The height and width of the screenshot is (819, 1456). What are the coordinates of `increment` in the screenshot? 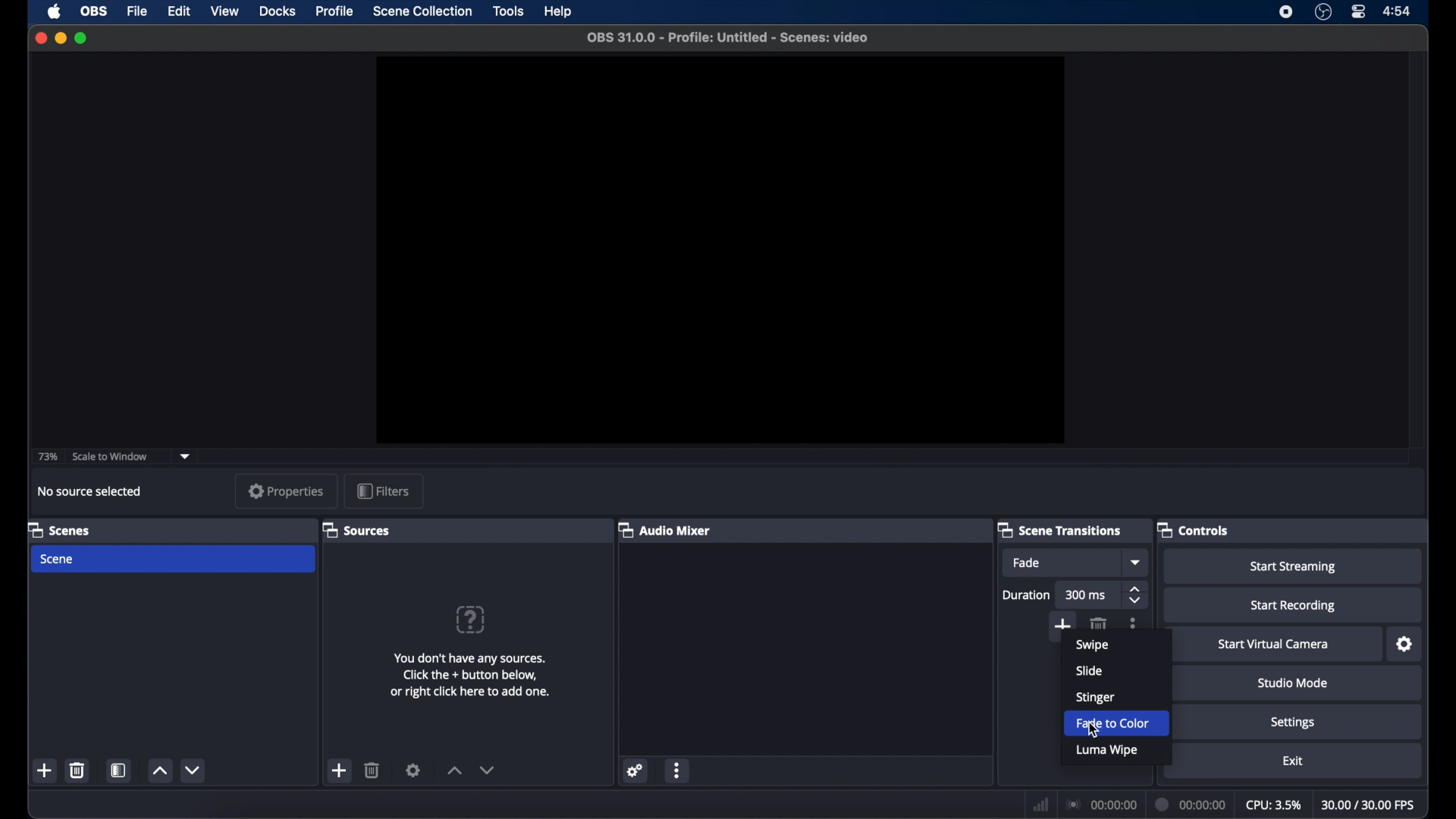 It's located at (158, 771).